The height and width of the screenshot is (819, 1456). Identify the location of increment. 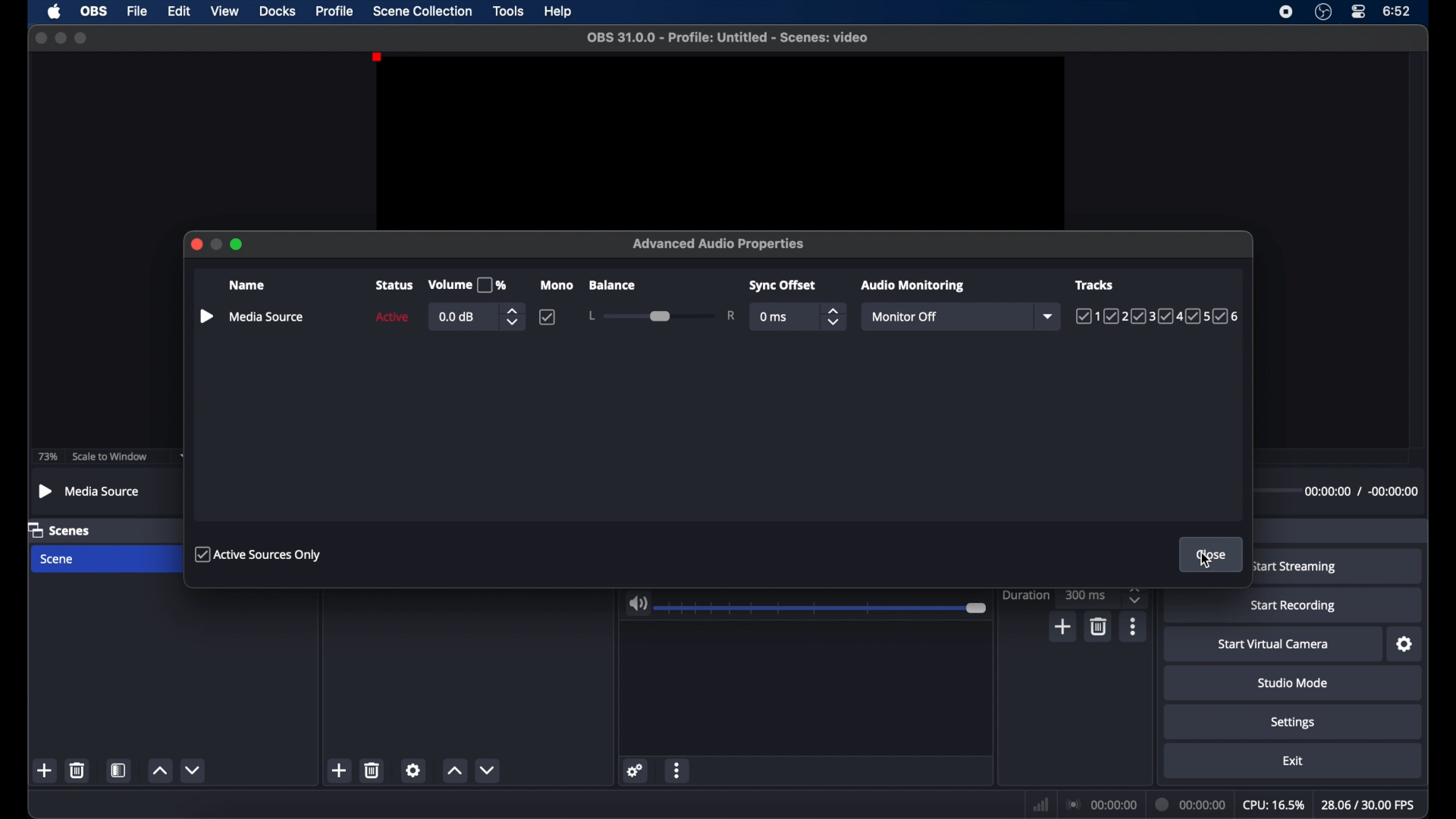
(453, 770).